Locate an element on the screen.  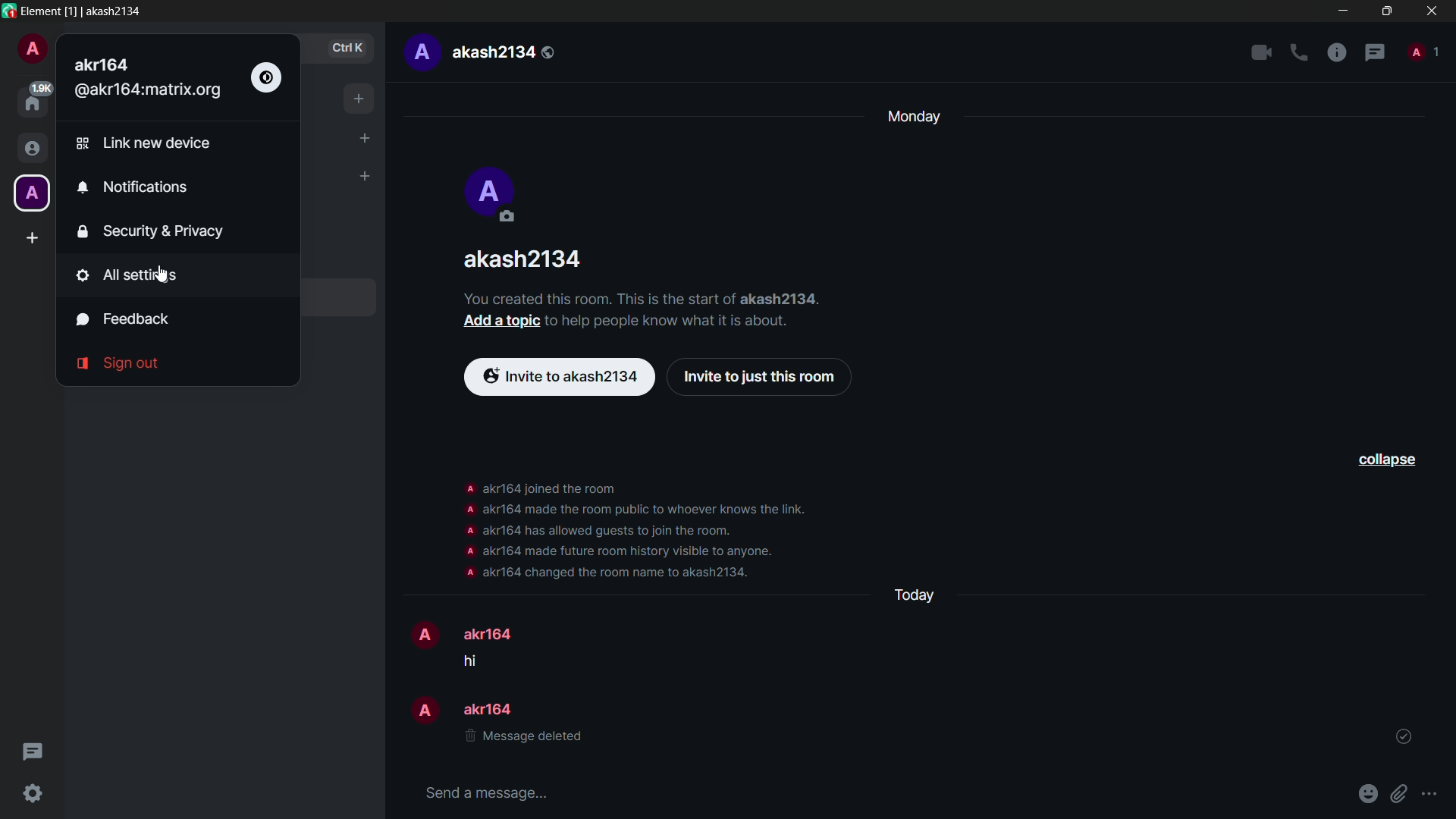
Ctrl K is located at coordinates (348, 49).